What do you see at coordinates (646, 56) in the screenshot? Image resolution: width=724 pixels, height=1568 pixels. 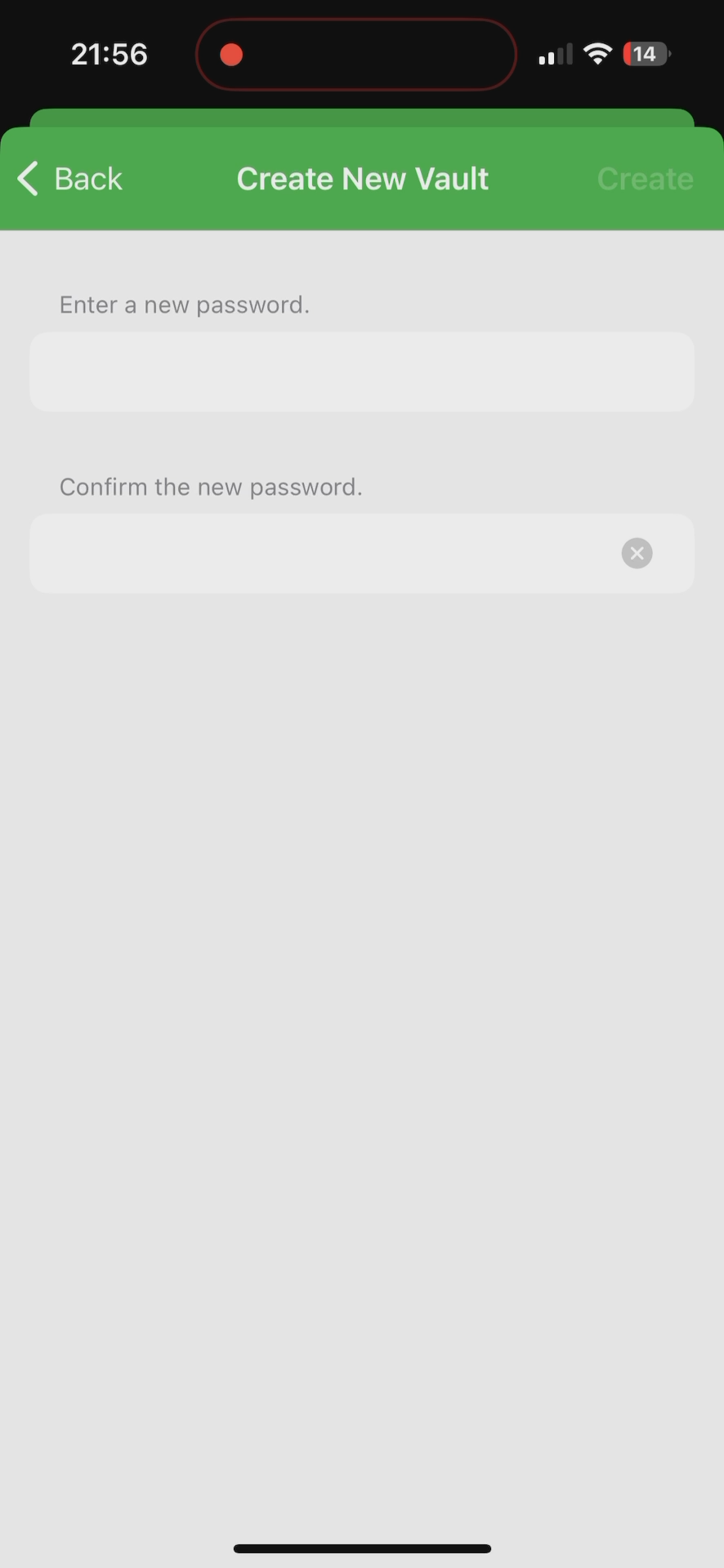 I see `battery` at bounding box center [646, 56].